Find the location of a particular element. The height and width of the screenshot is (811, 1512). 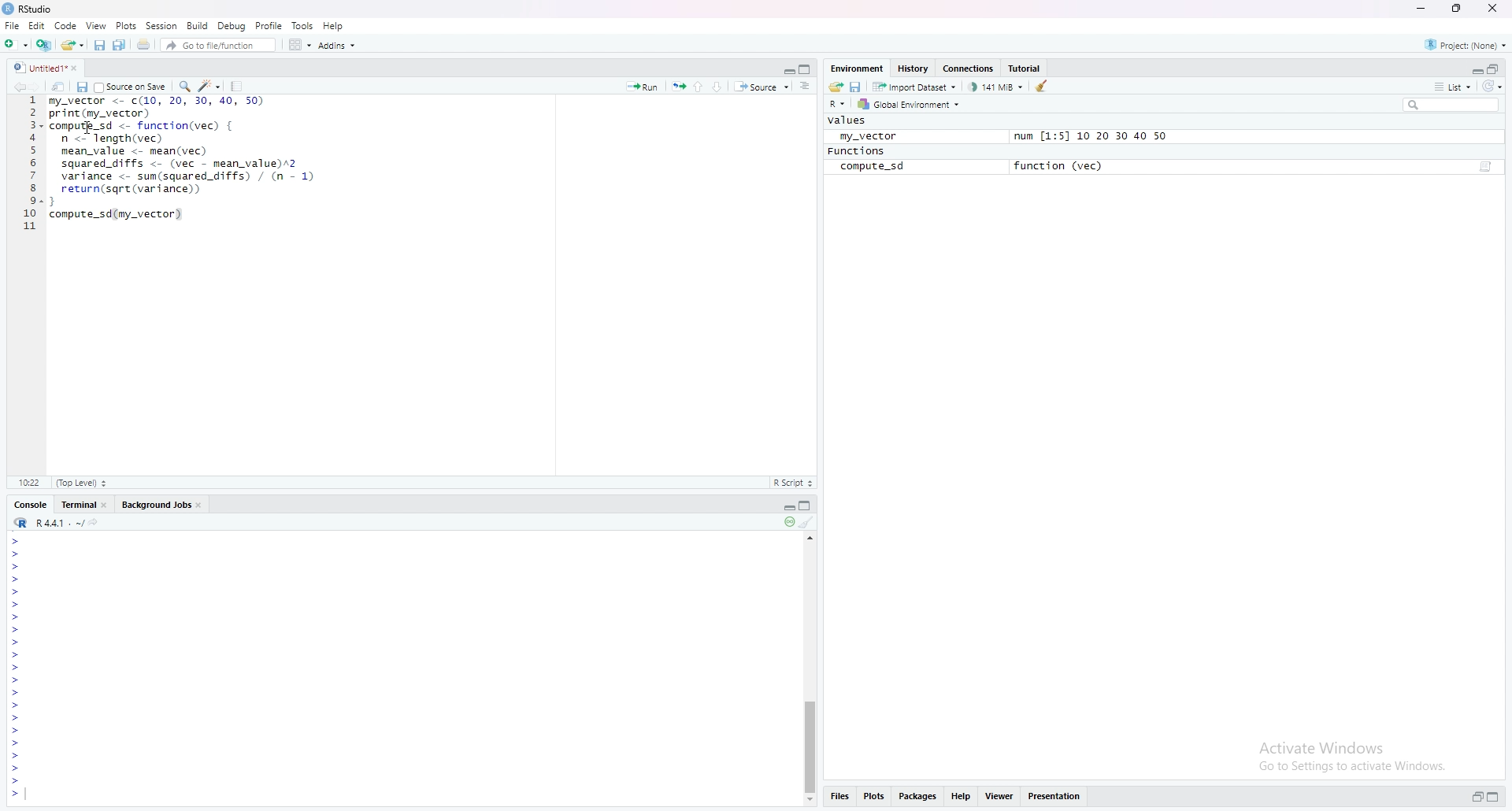

Close is located at coordinates (80, 69).